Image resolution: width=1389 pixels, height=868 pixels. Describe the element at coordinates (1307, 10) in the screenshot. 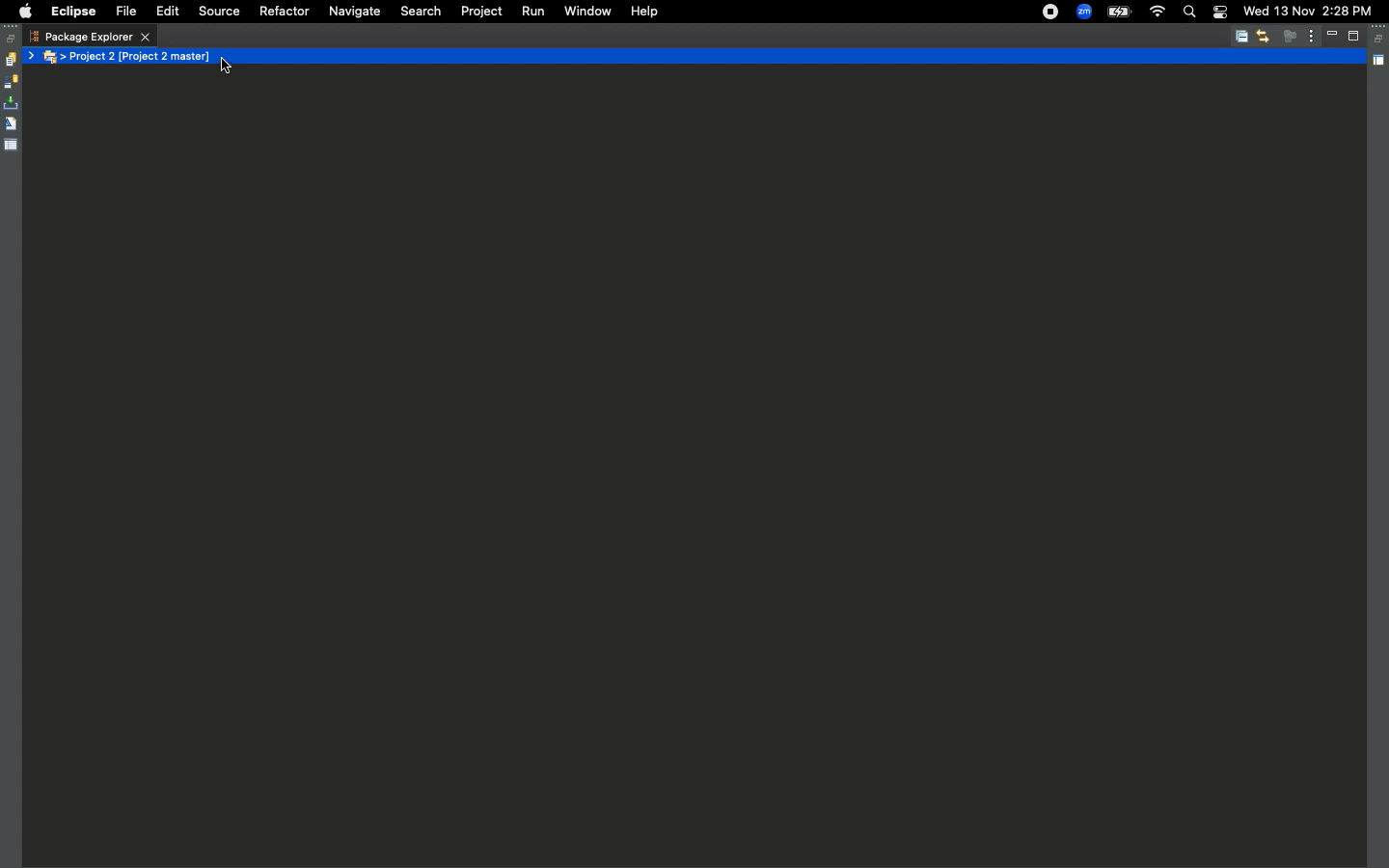

I see `Wed 13 Nov 2:28 PM` at that location.